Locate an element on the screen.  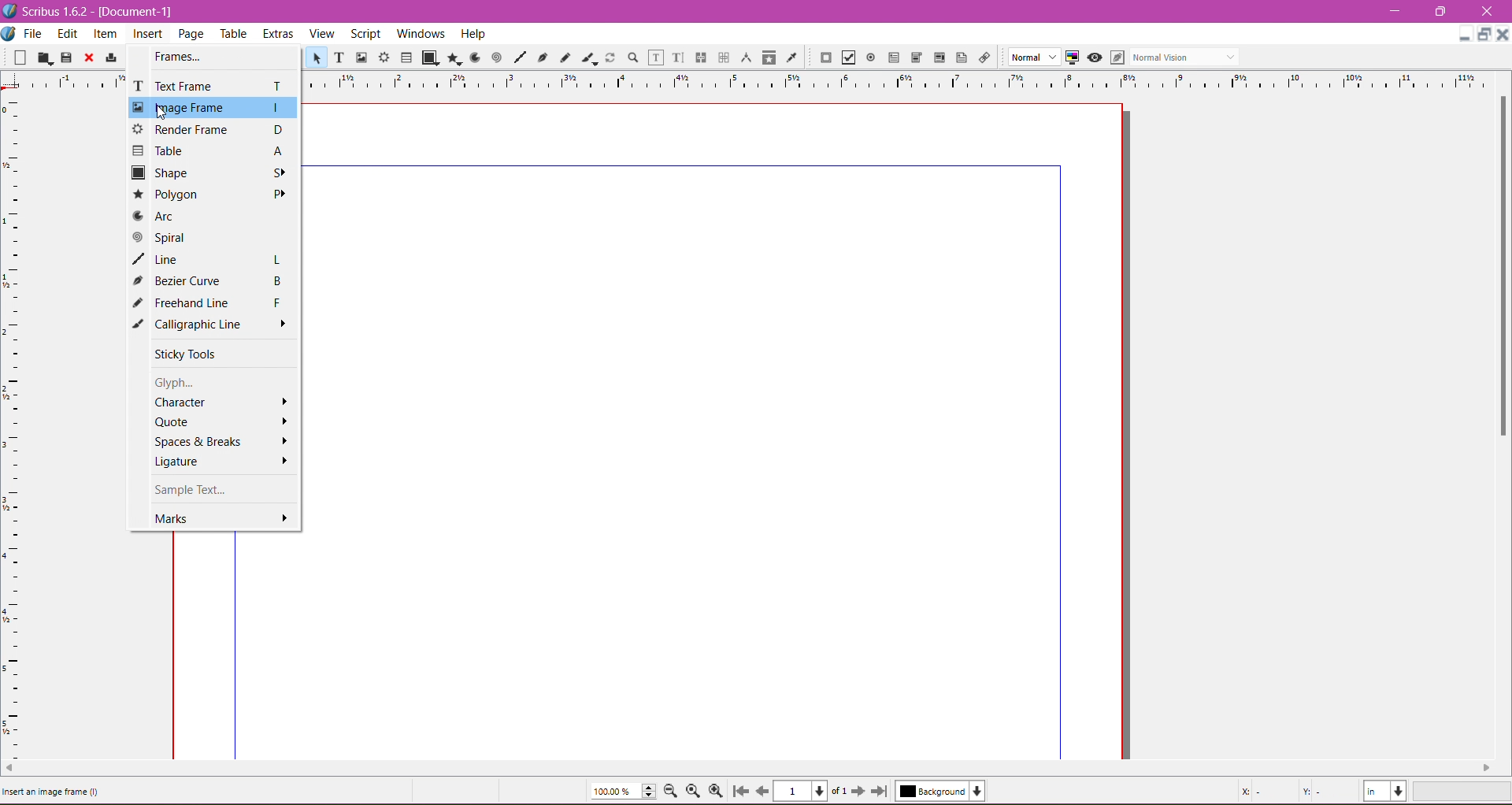
Glyph is located at coordinates (191, 382).